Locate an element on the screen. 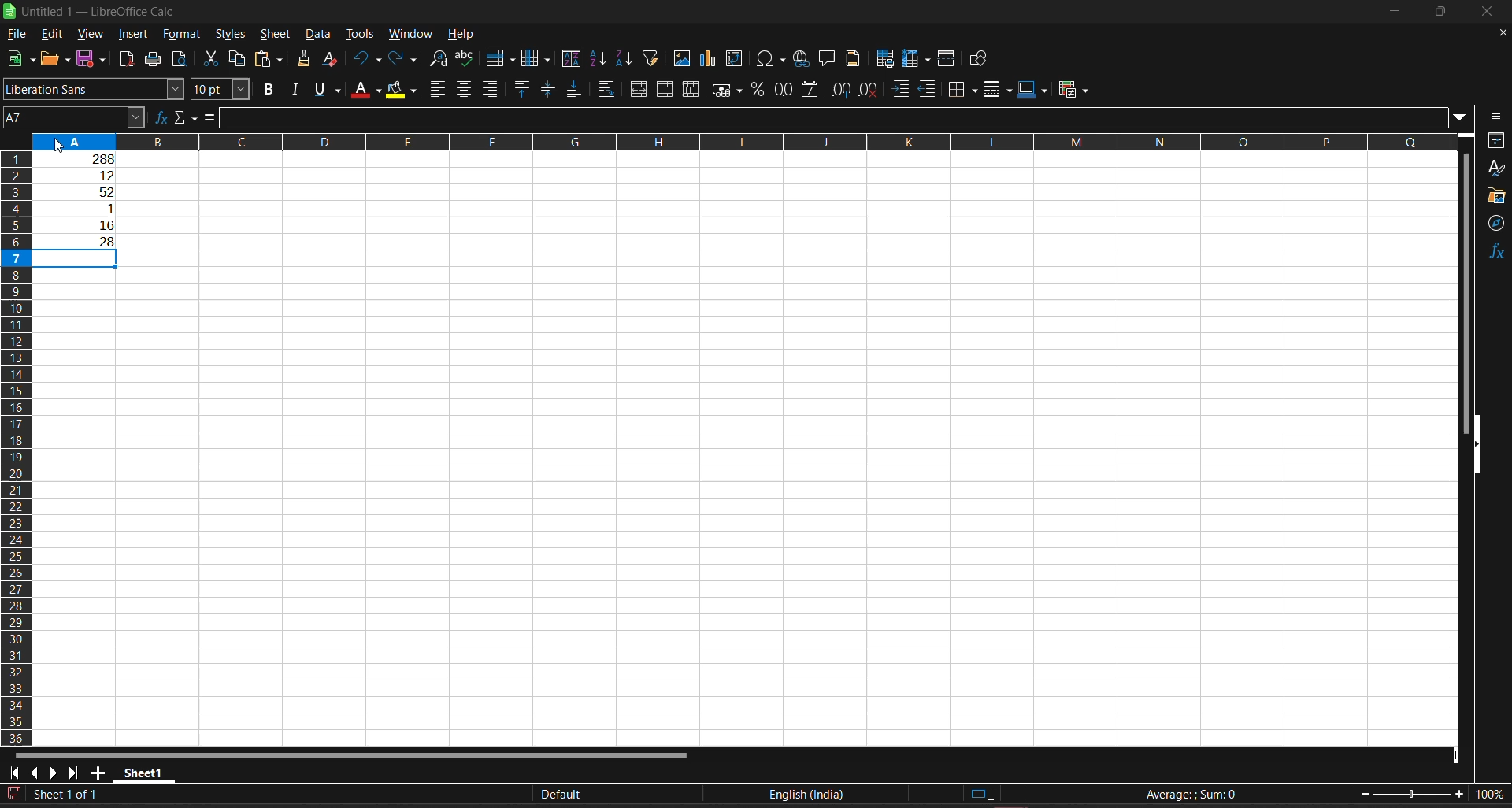 Image resolution: width=1512 pixels, height=808 pixels. merge and center is located at coordinates (636, 89).